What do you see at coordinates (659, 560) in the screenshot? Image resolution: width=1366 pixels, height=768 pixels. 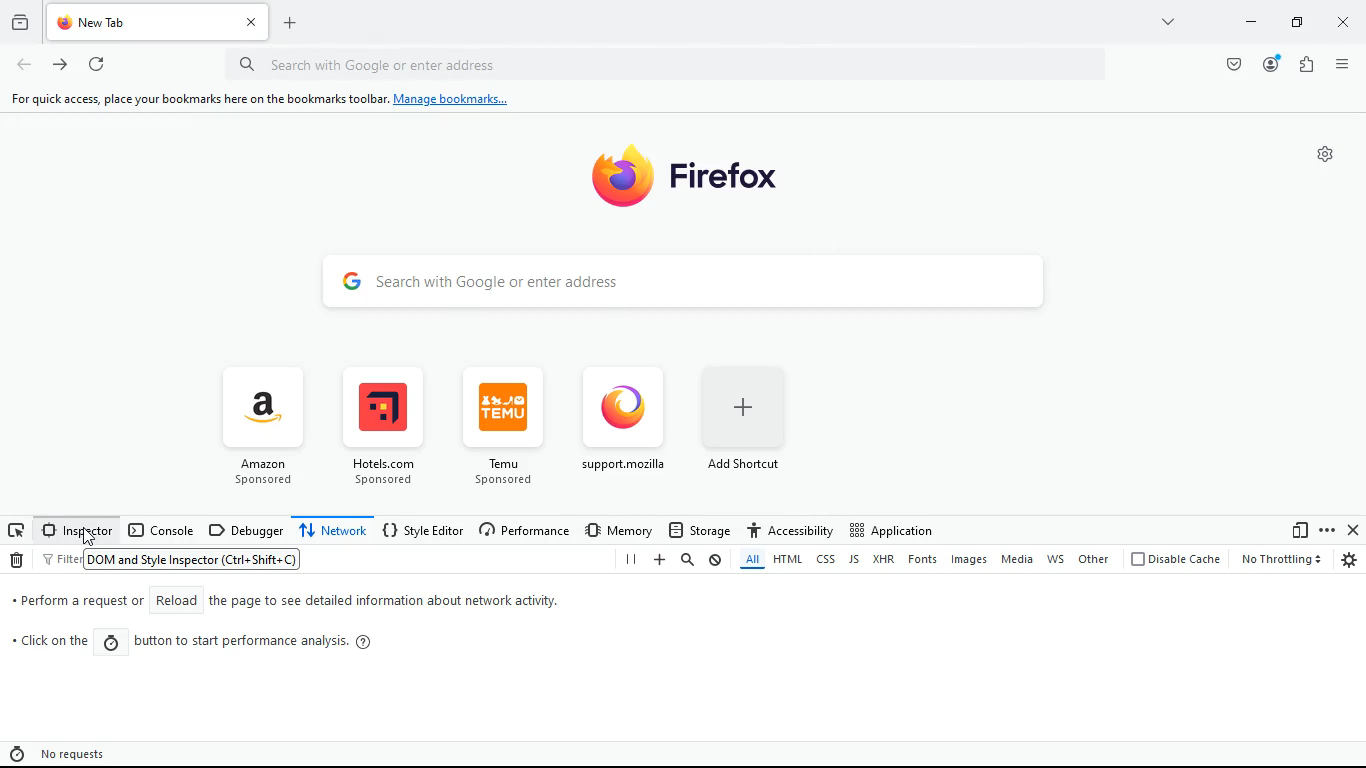 I see `add` at bounding box center [659, 560].